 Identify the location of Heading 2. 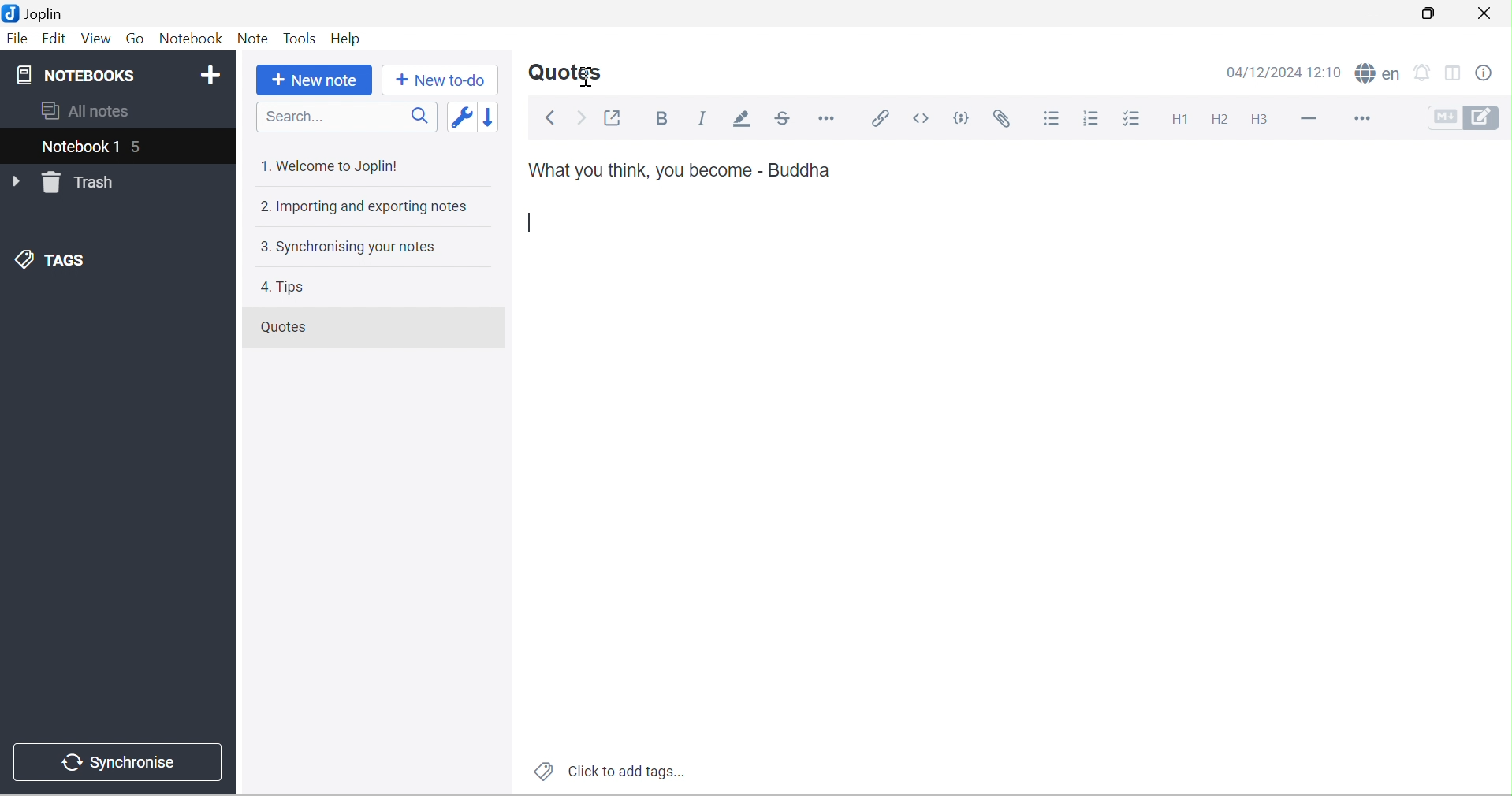
(1223, 119).